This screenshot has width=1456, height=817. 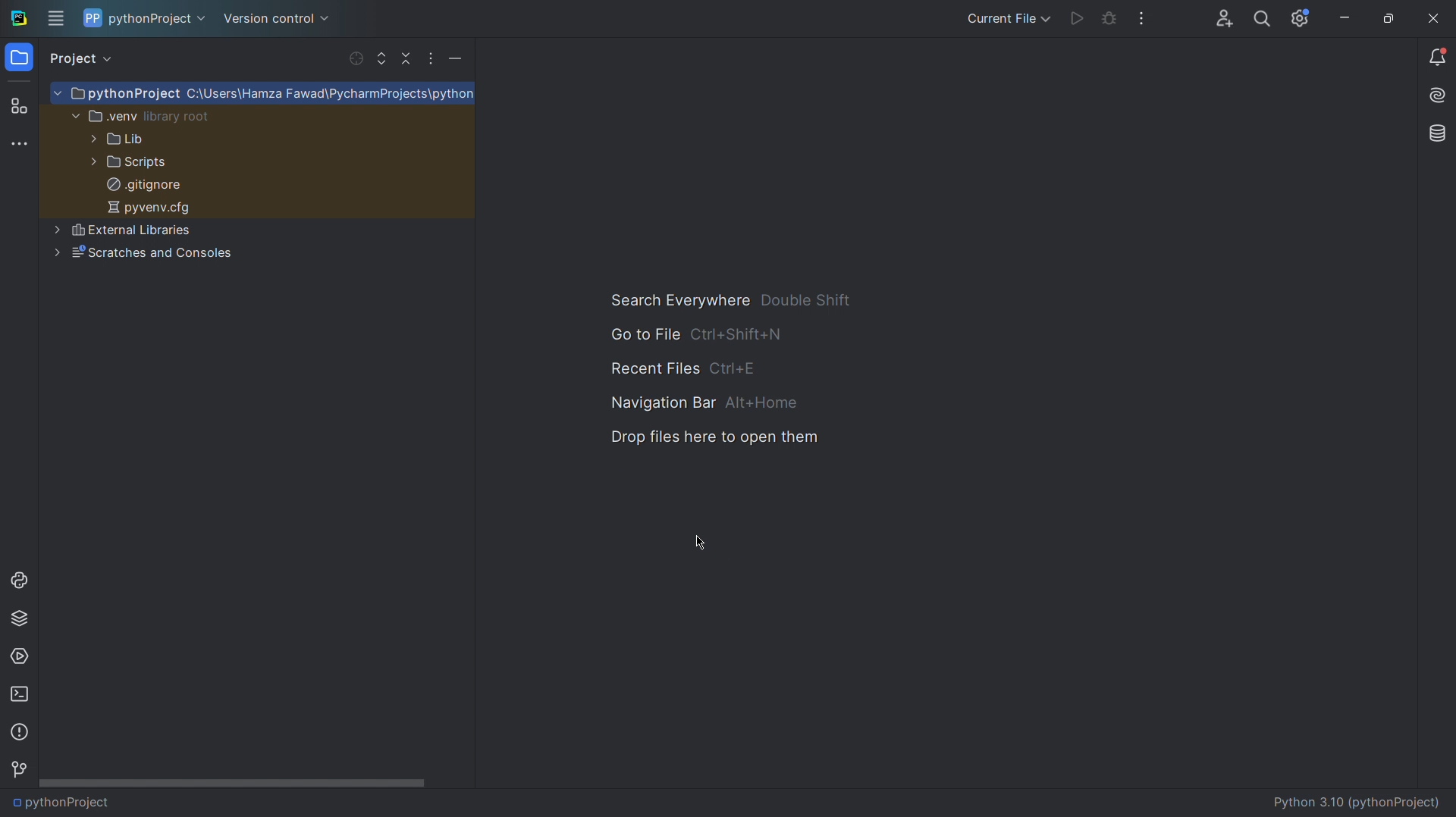 What do you see at coordinates (19, 61) in the screenshot?
I see `Open folder` at bounding box center [19, 61].